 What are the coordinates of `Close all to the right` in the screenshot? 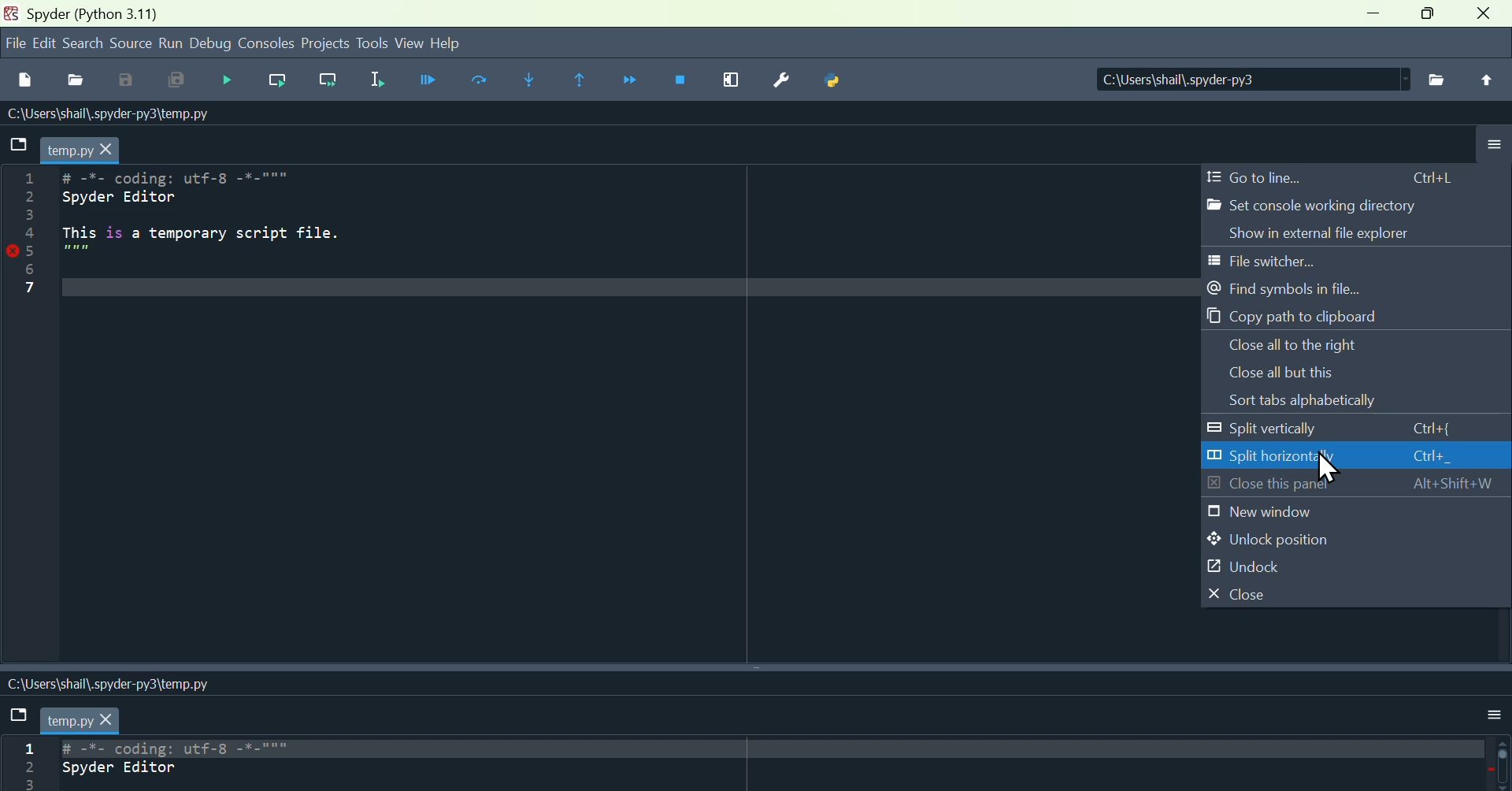 It's located at (1297, 347).